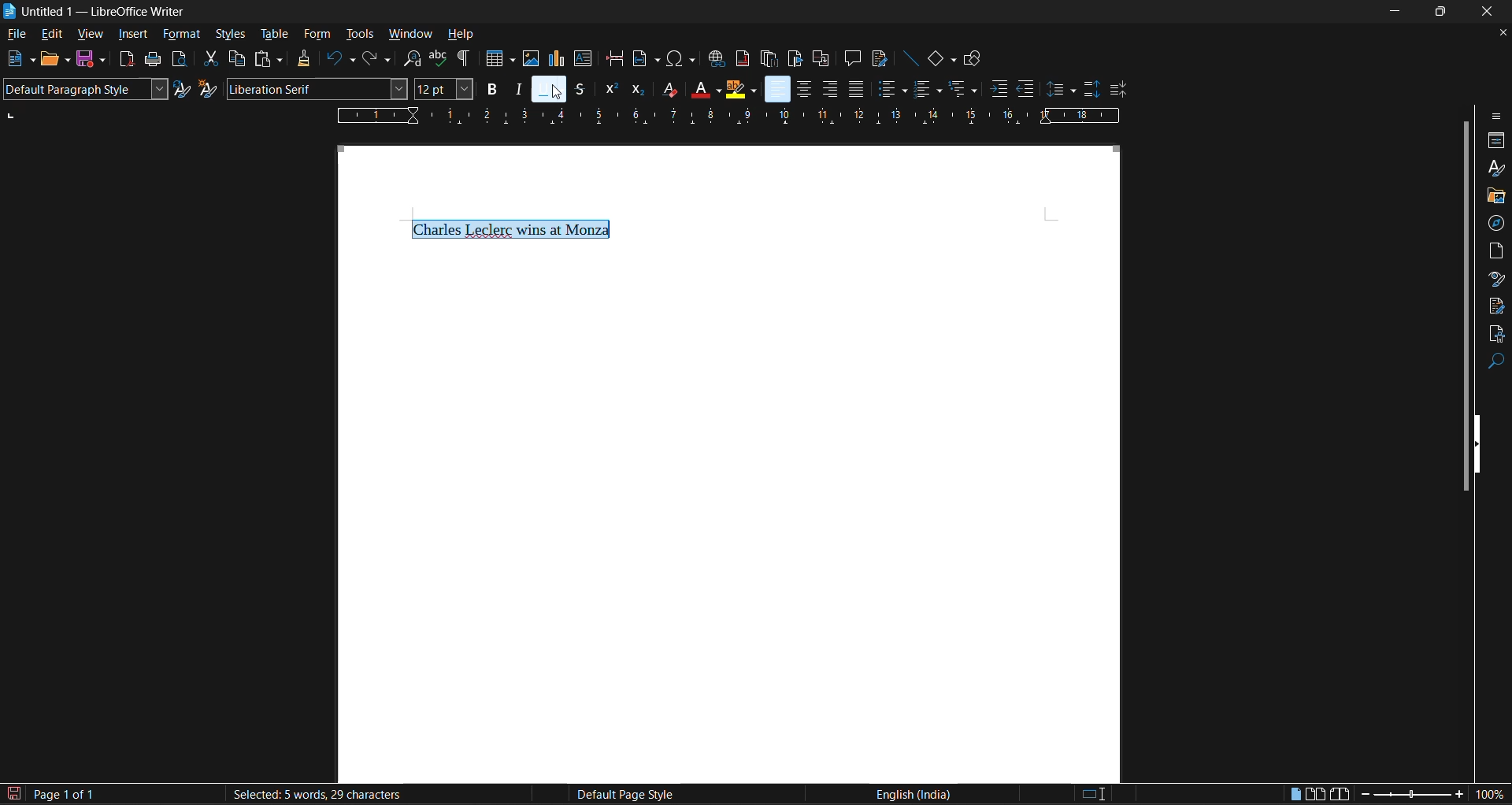 This screenshot has height=805, width=1512. I want to click on close document, so click(1498, 33).